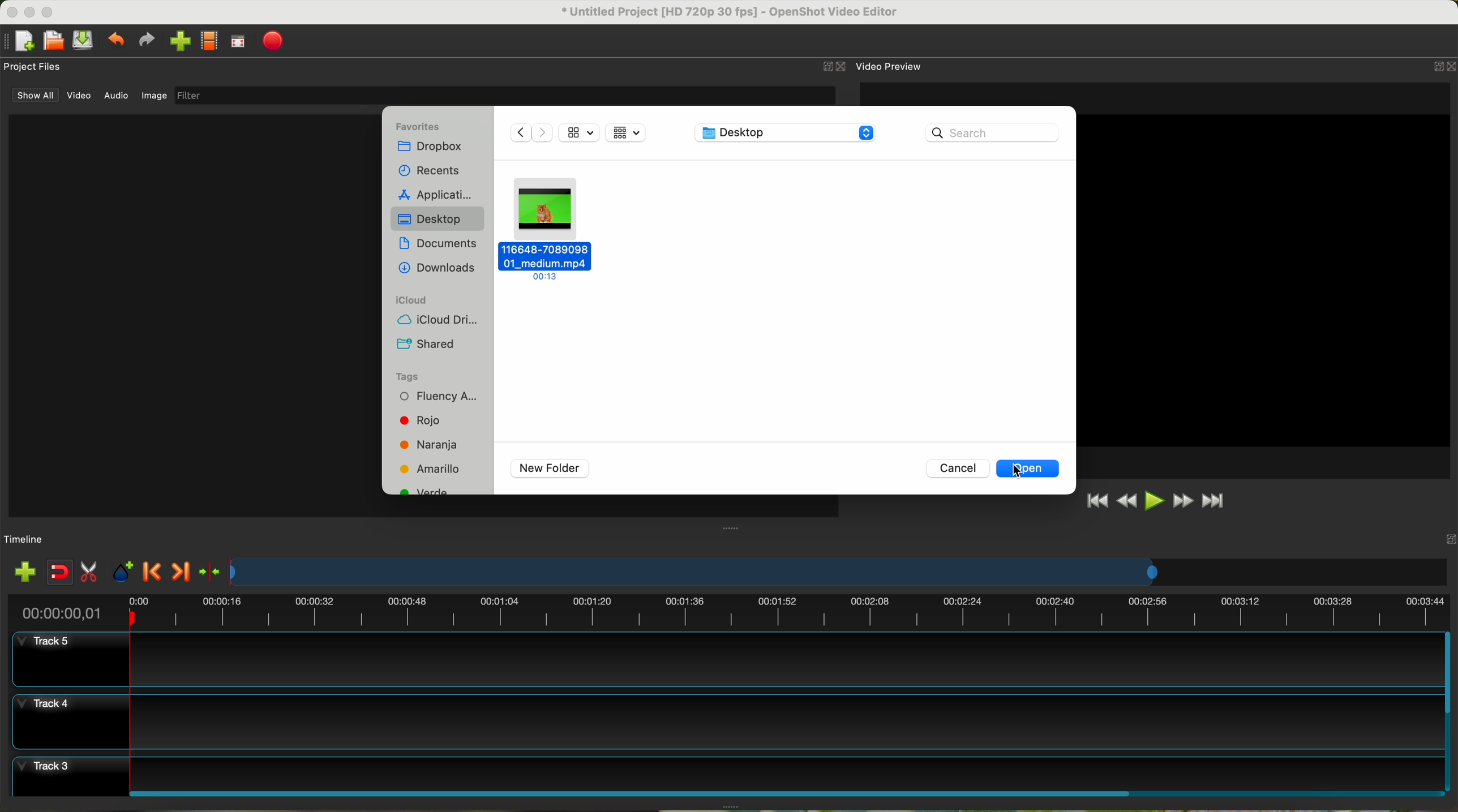 The height and width of the screenshot is (812, 1458). What do you see at coordinates (117, 96) in the screenshot?
I see `audio` at bounding box center [117, 96].